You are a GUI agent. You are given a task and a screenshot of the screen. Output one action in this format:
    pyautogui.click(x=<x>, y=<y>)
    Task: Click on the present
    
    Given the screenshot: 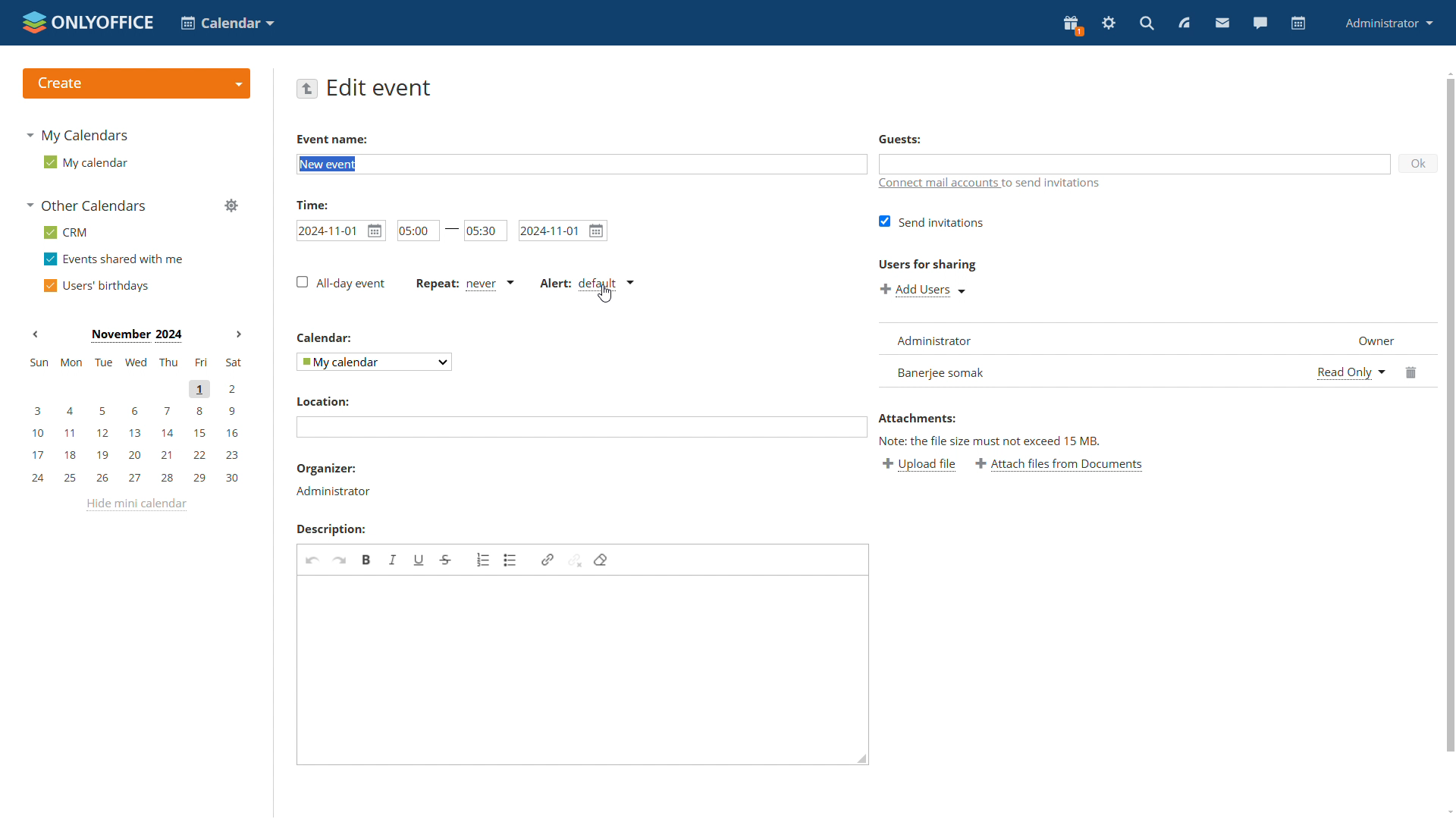 What is the action you would take?
    pyautogui.click(x=1072, y=26)
    